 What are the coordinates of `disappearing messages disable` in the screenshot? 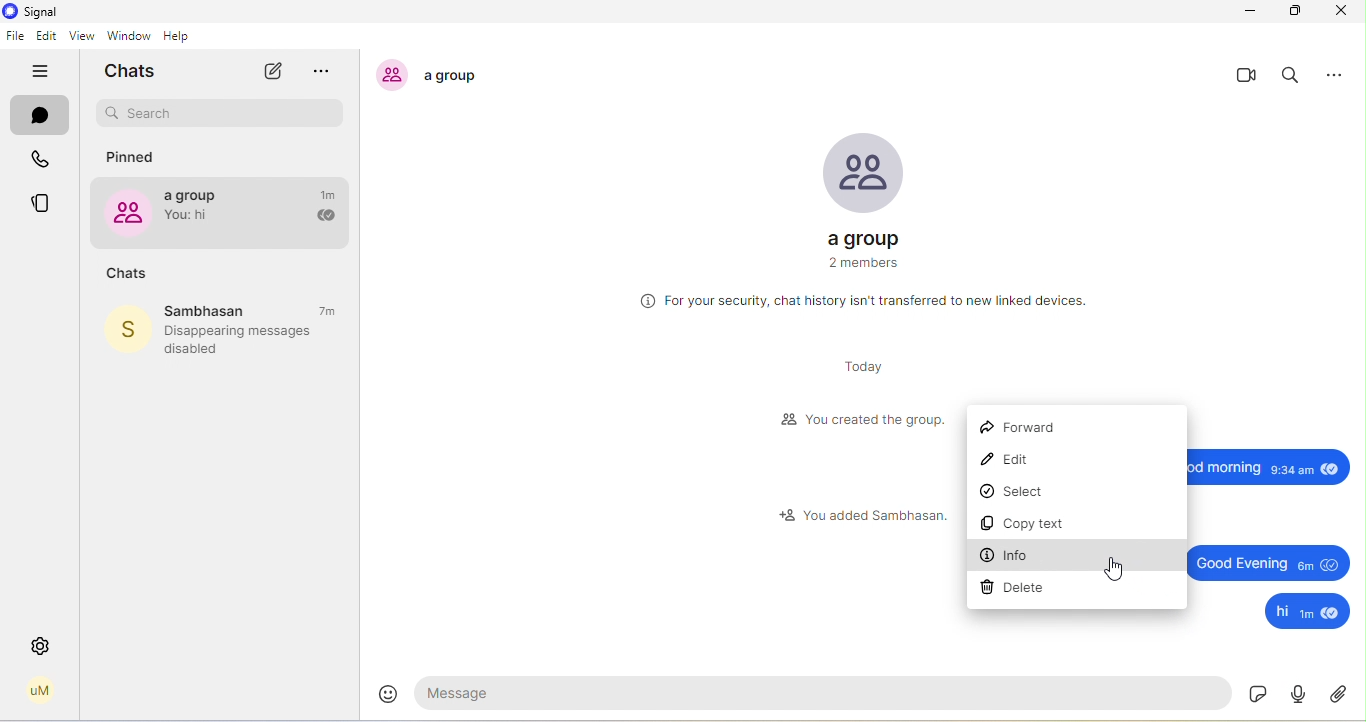 It's located at (248, 340).